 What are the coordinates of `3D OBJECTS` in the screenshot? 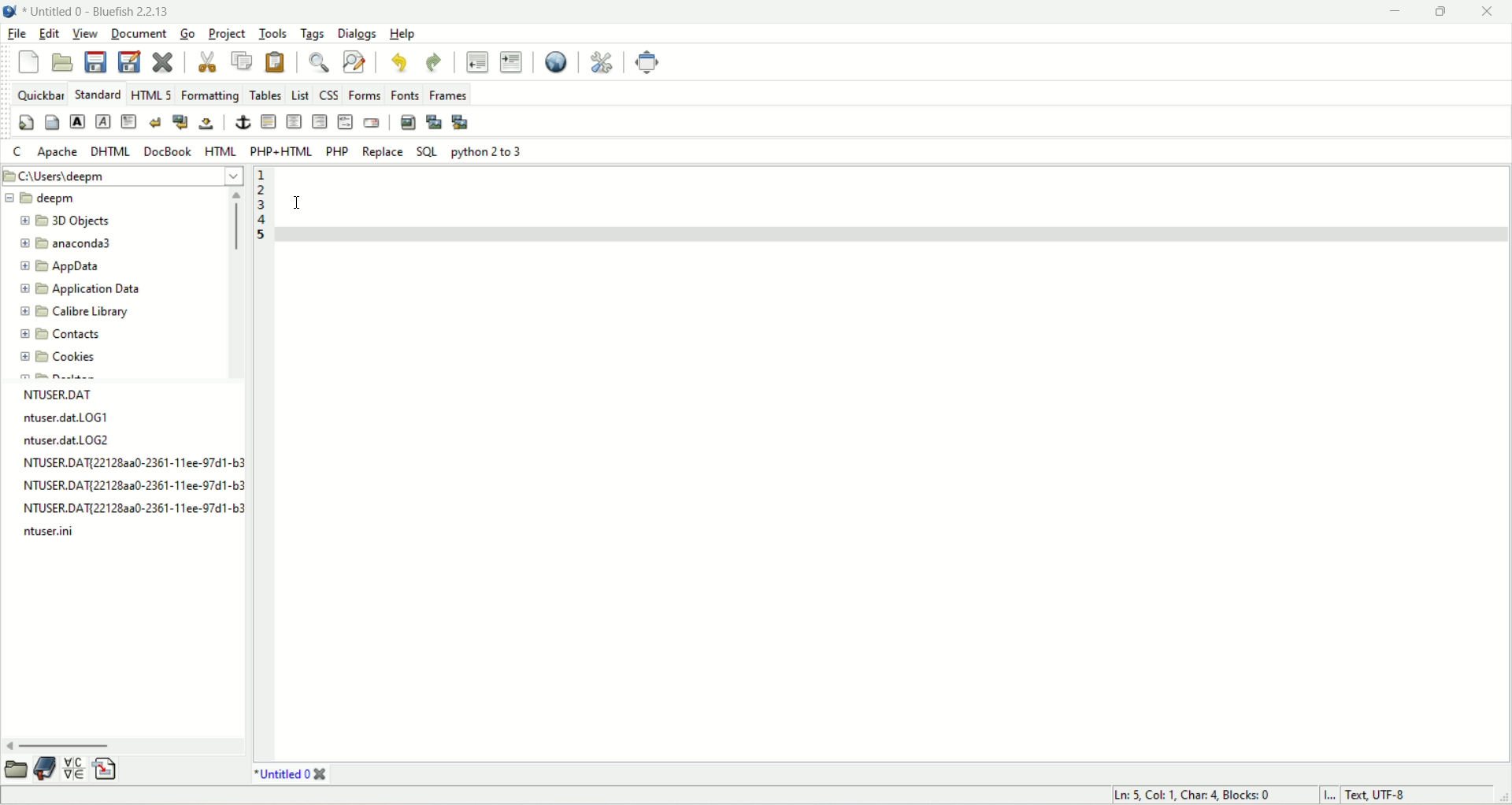 It's located at (71, 221).